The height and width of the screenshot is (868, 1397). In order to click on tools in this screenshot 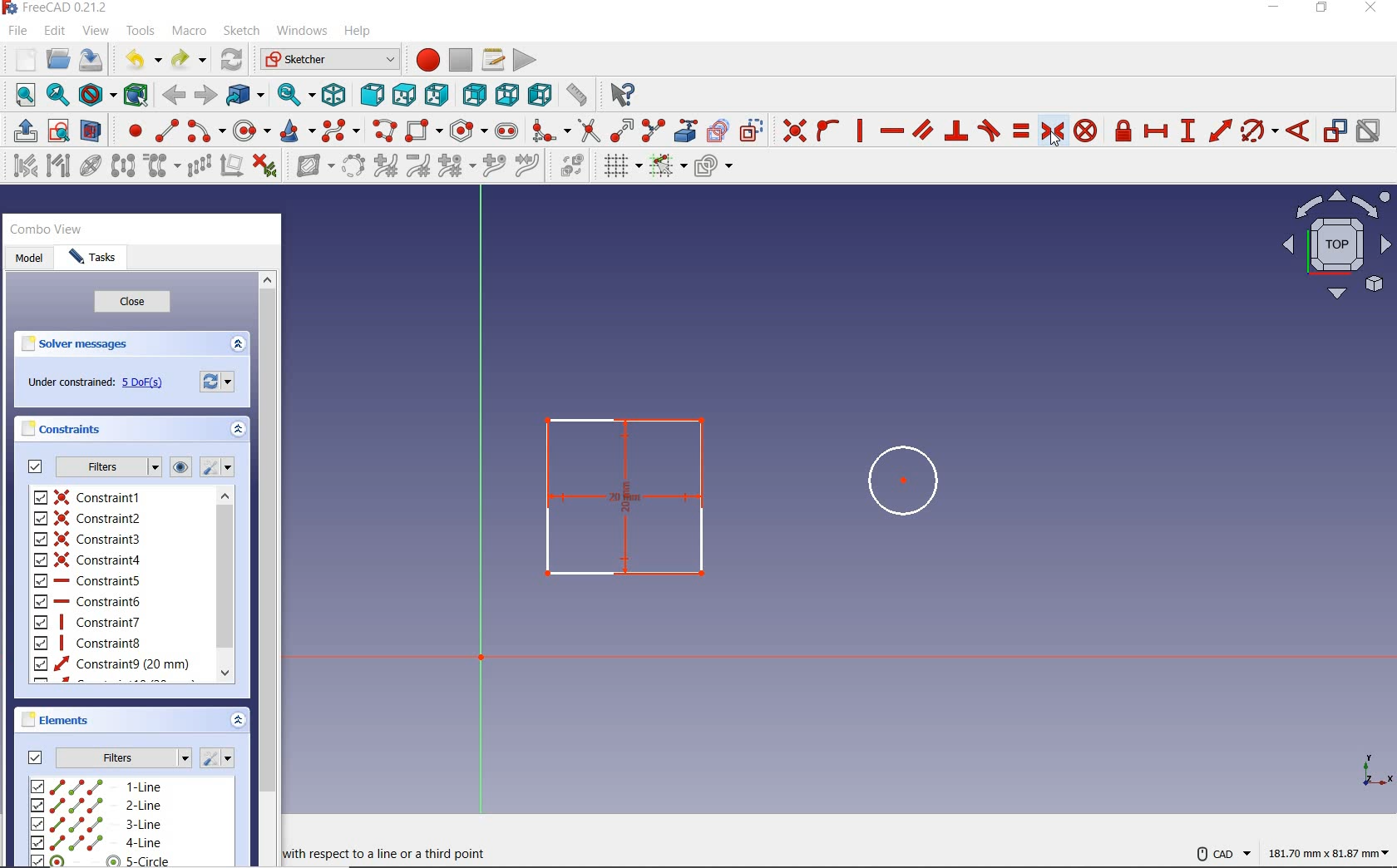, I will do `click(141, 31)`.